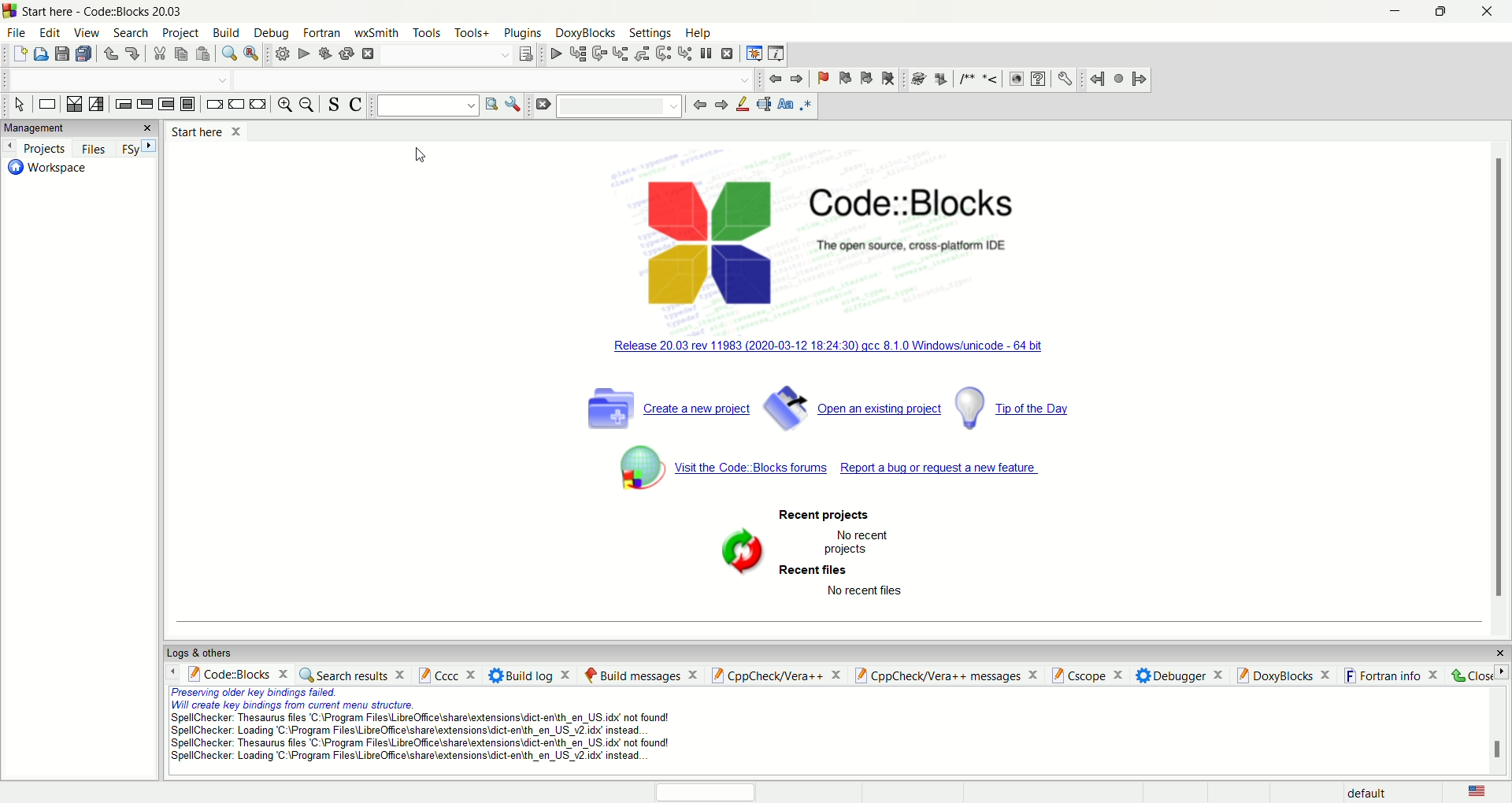 The height and width of the screenshot is (803, 1512). What do you see at coordinates (445, 56) in the screenshot?
I see `Search` at bounding box center [445, 56].